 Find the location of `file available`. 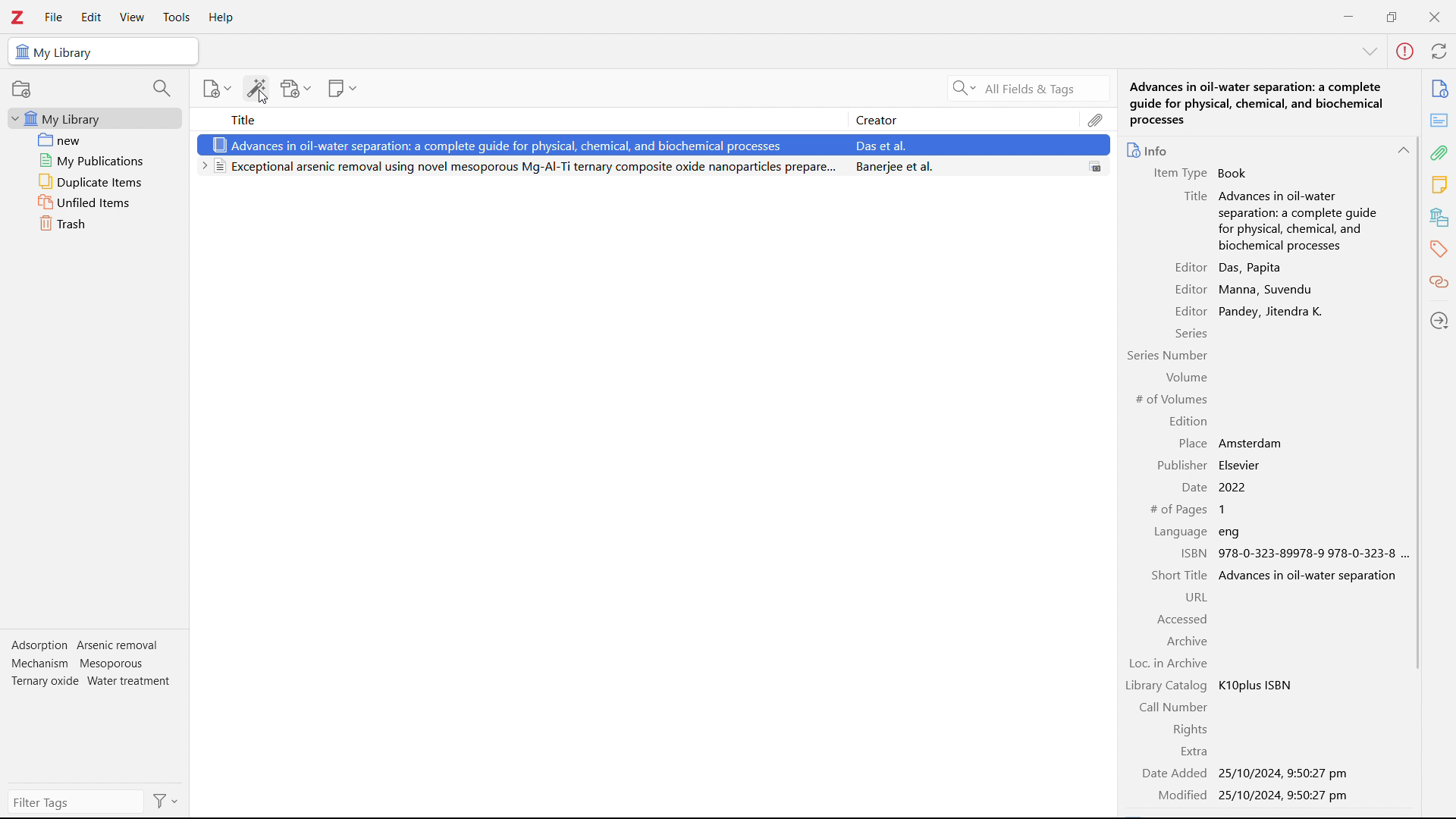

file available is located at coordinates (1097, 166).